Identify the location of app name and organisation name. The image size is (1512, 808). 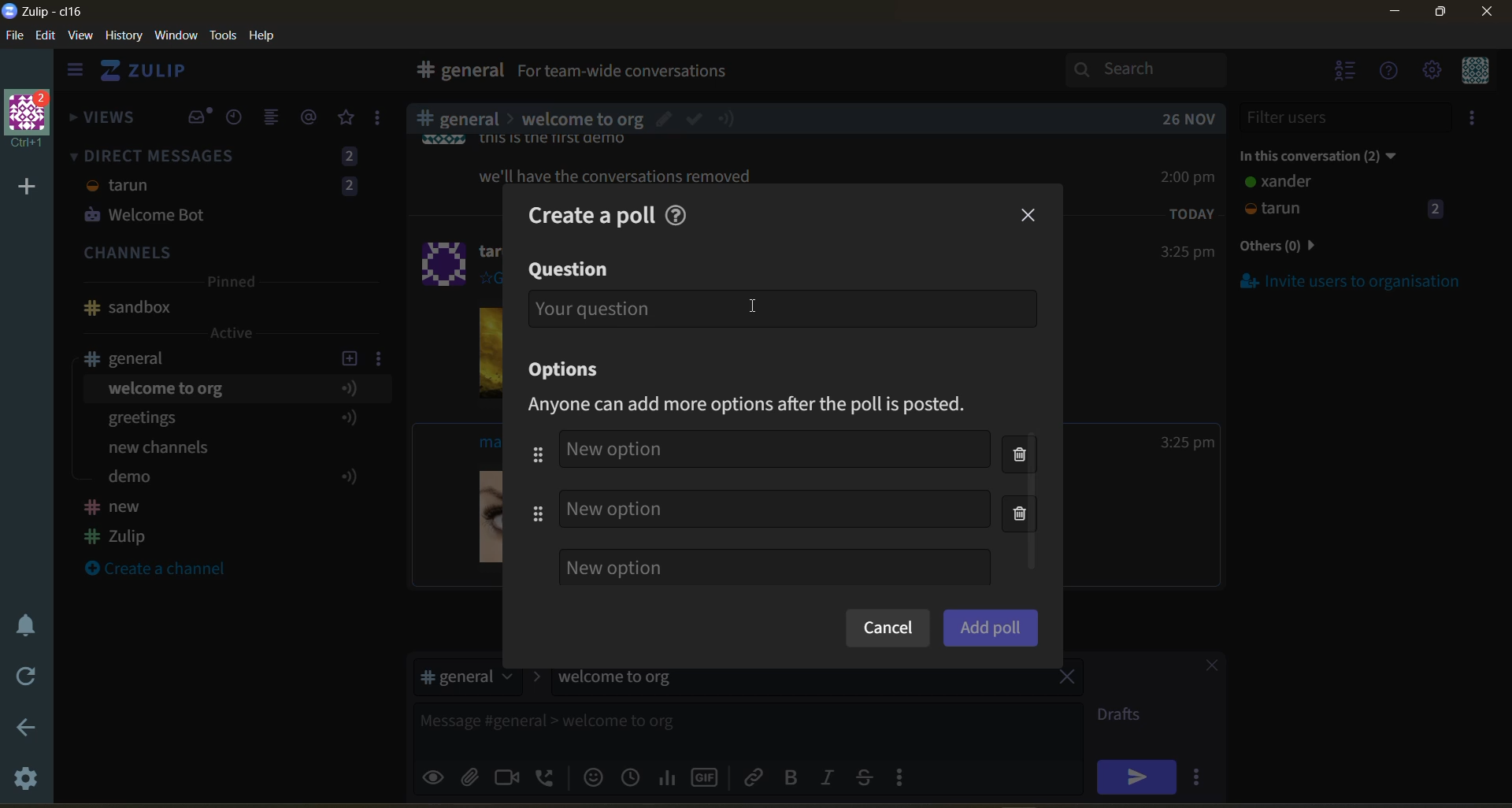
(43, 12).